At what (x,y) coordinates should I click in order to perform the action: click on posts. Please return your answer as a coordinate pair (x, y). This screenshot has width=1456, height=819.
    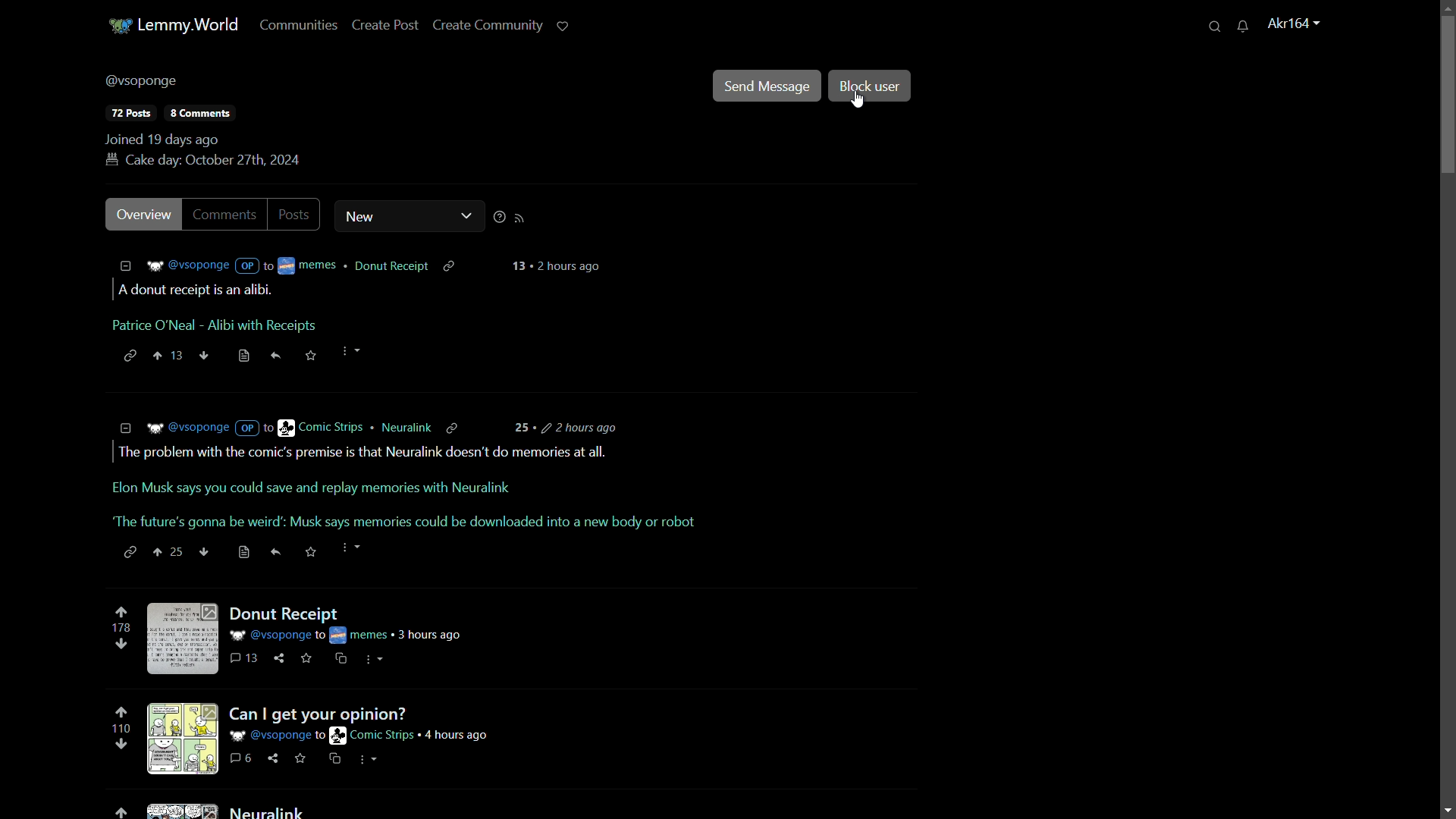
    Looking at the image, I should click on (131, 113).